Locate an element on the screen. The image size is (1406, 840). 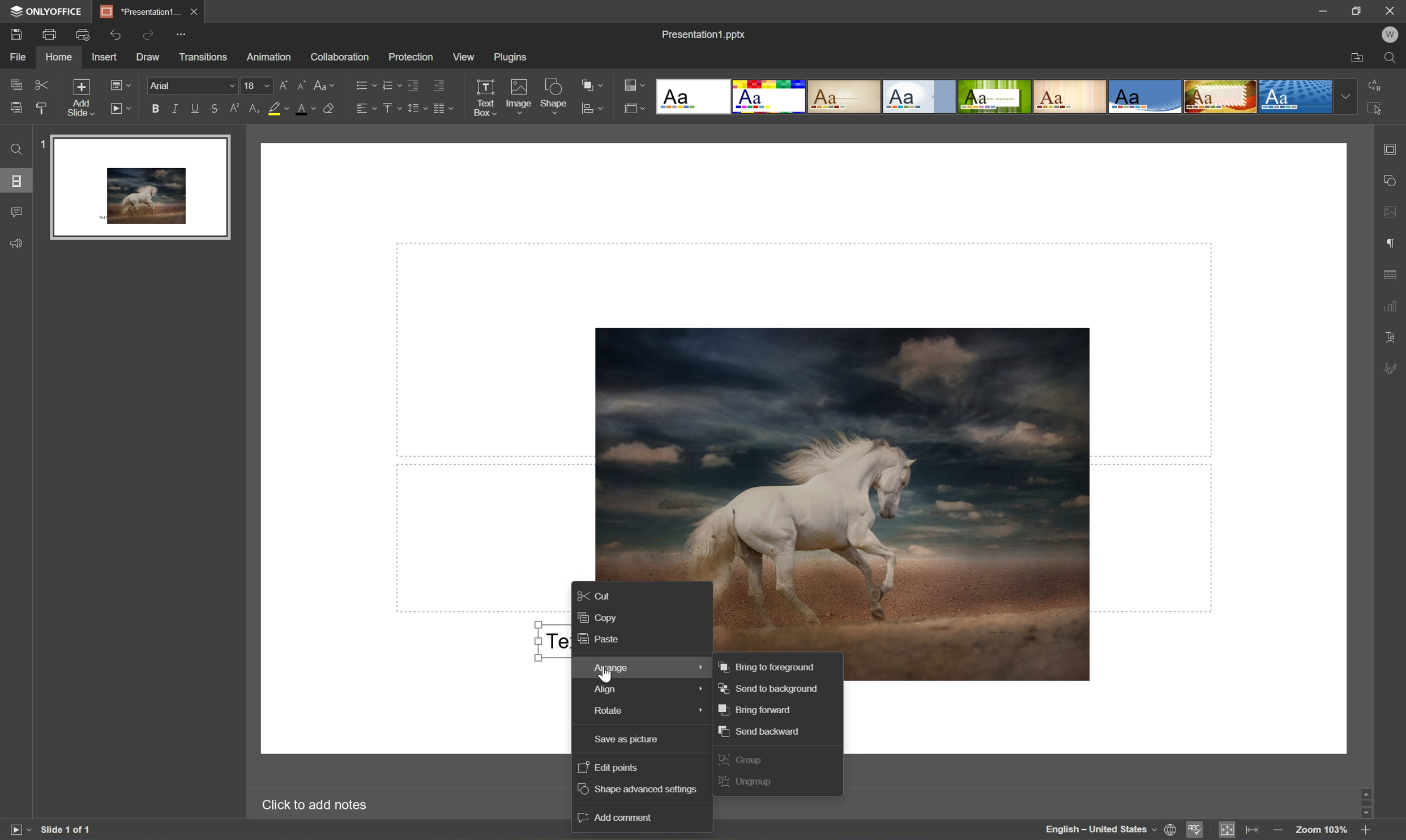
Add comment is located at coordinates (618, 817).